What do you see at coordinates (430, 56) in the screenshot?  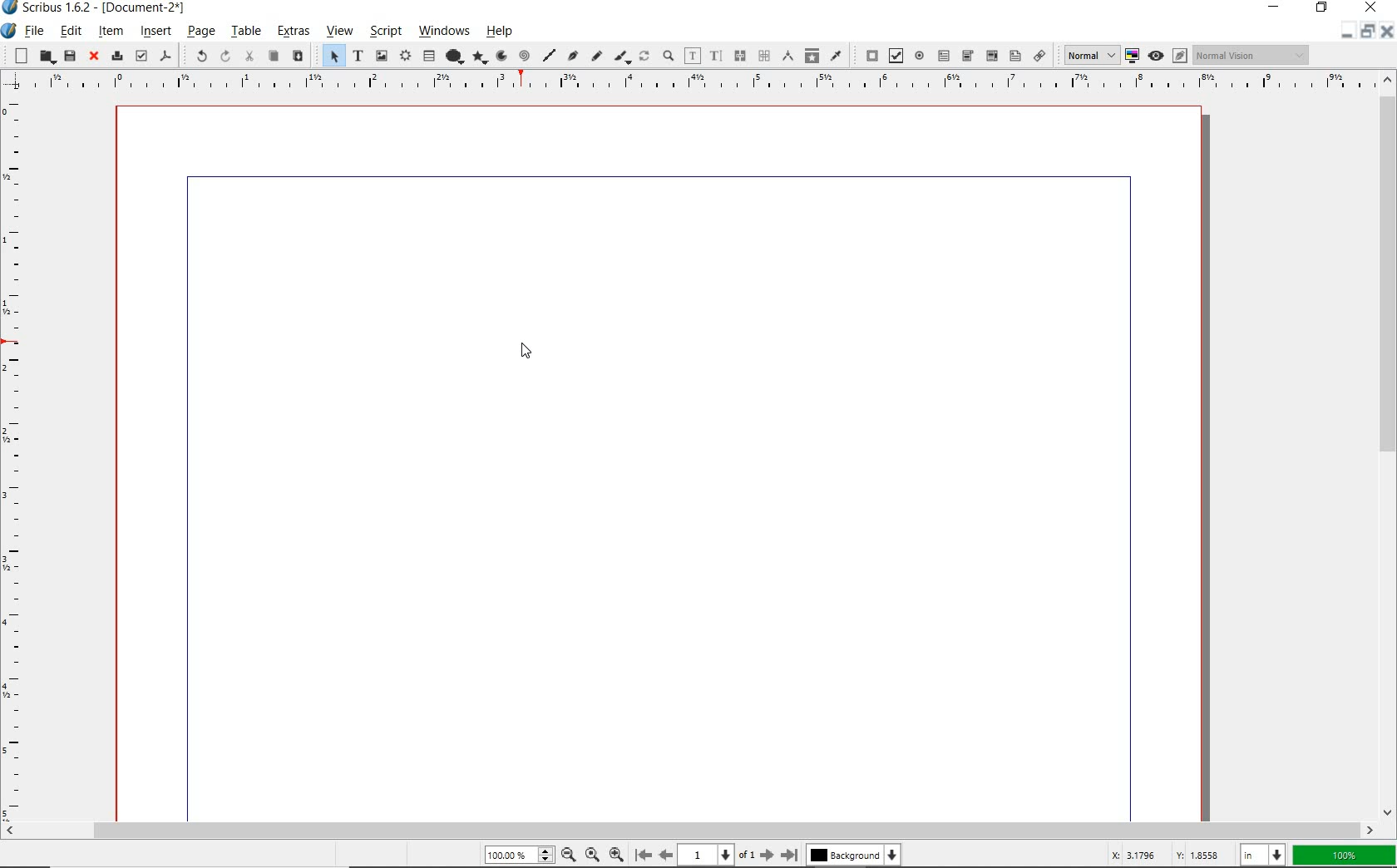 I see `table` at bounding box center [430, 56].